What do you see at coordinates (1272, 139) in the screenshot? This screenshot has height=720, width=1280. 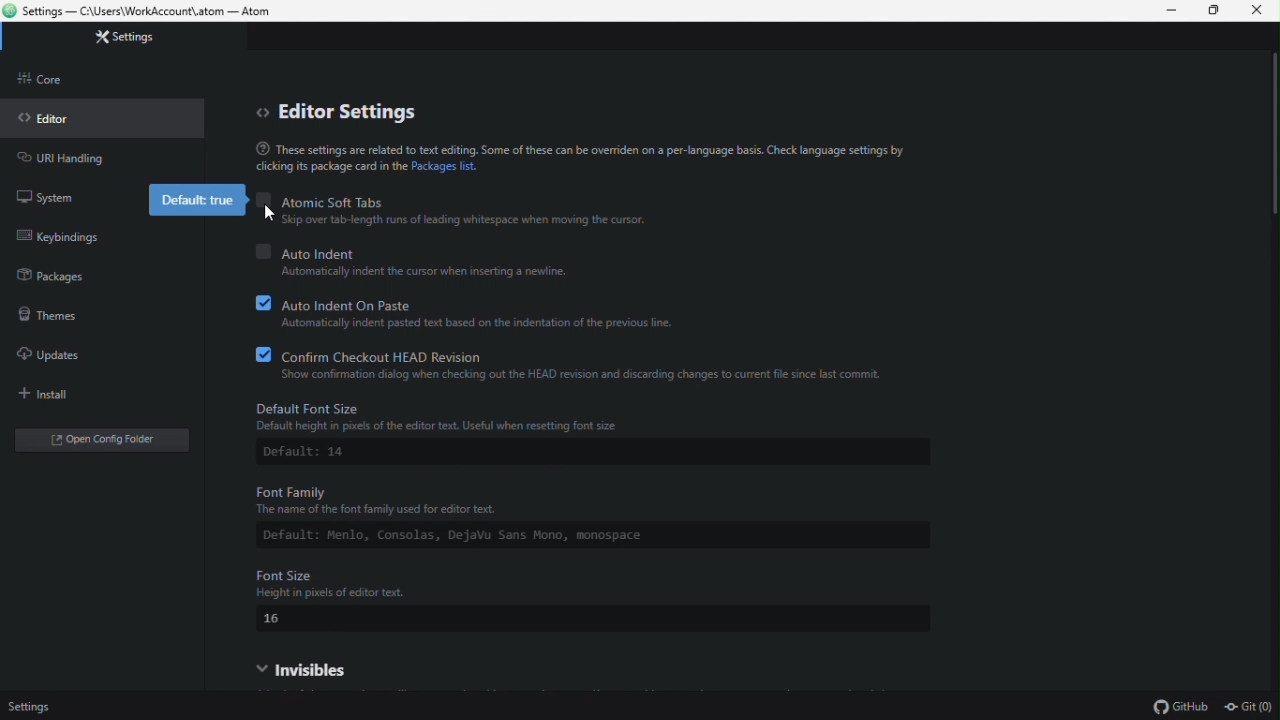 I see `scroll bar` at bounding box center [1272, 139].